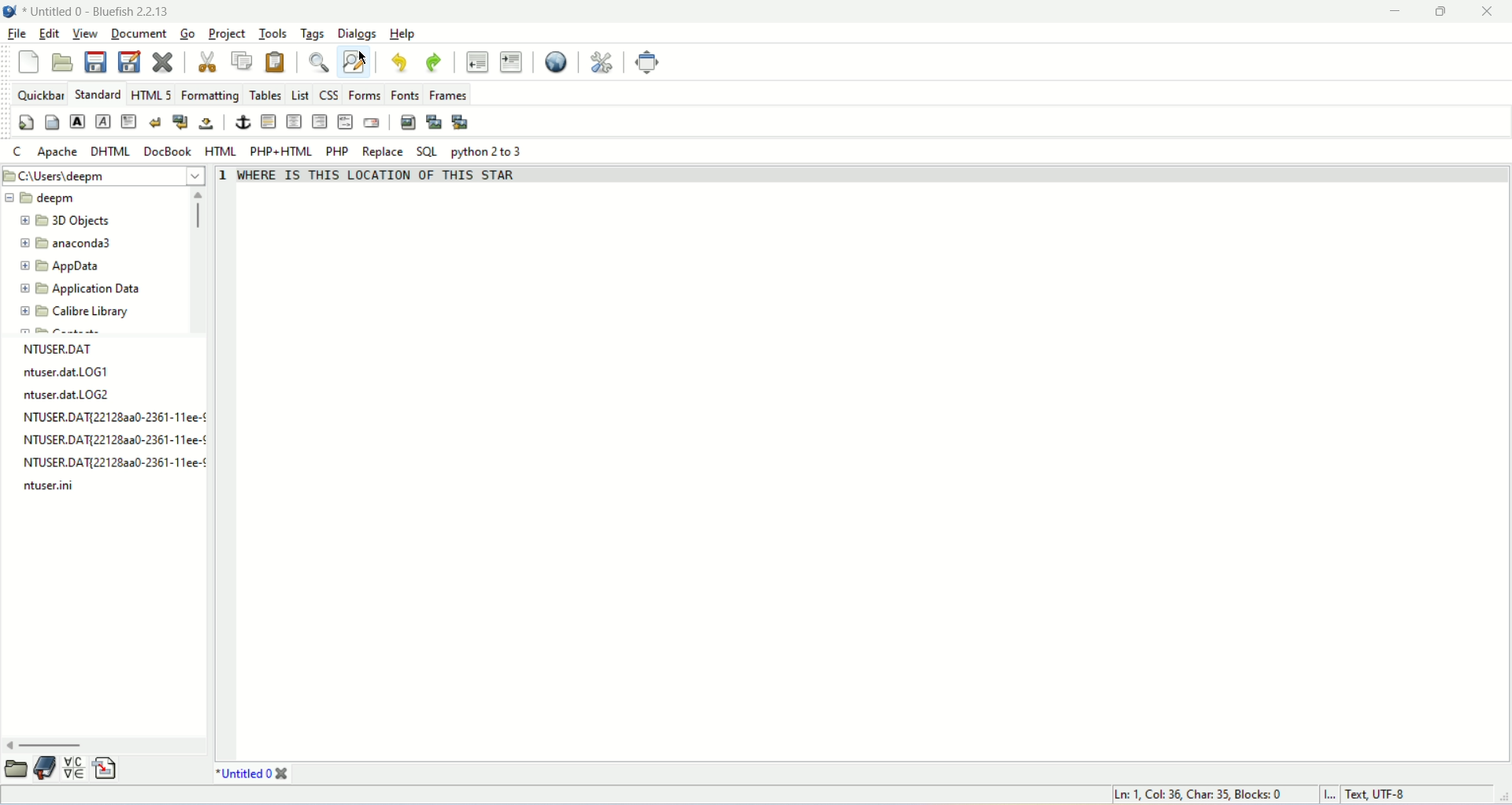 This screenshot has height=805, width=1512. I want to click on minimize, so click(1399, 10).